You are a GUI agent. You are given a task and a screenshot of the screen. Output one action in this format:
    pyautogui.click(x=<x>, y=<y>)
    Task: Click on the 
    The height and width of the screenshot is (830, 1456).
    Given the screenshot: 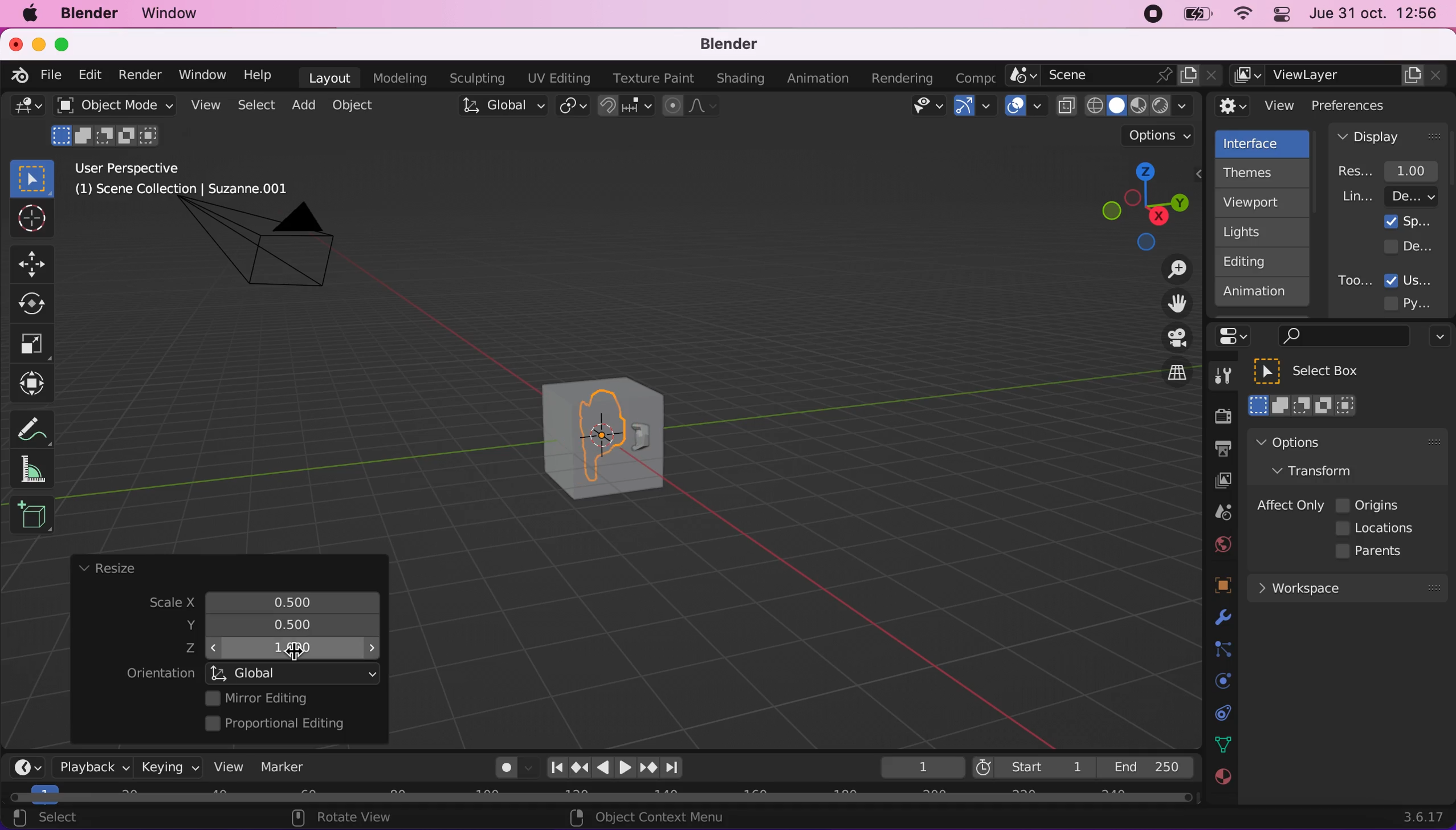 What is the action you would take?
    pyautogui.click(x=32, y=344)
    